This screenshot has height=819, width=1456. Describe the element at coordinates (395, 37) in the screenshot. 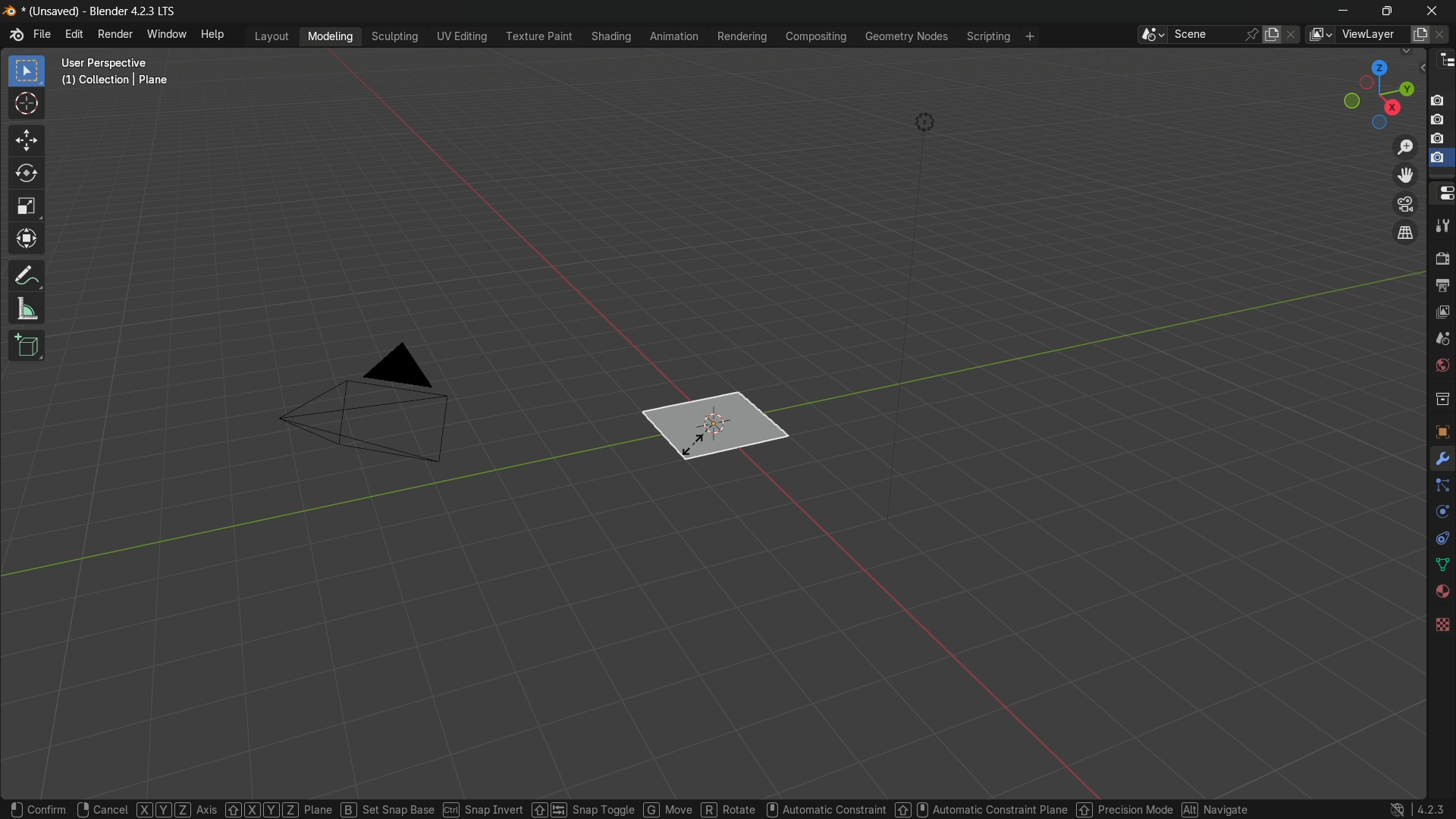

I see `sculpting` at that location.